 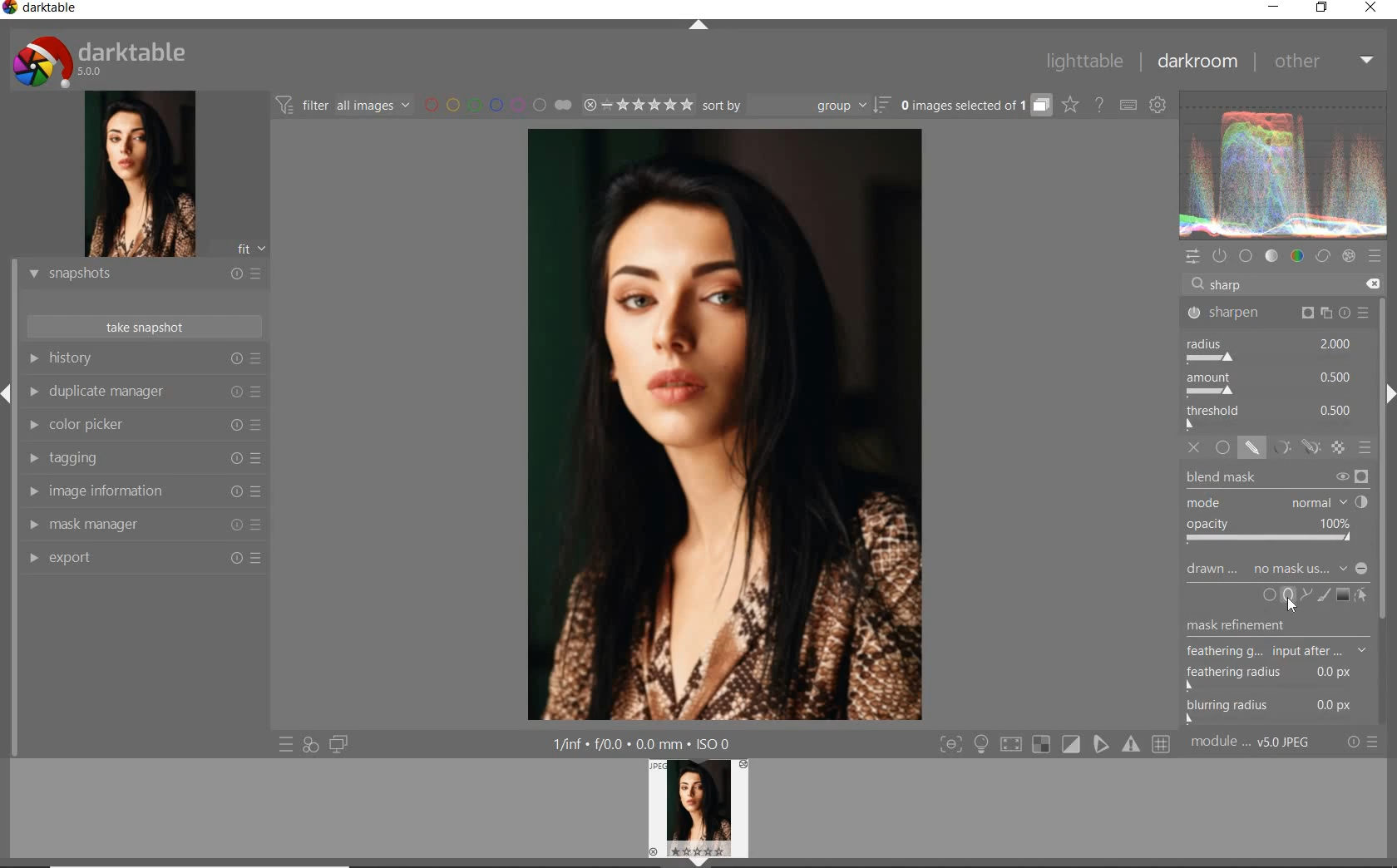 I want to click on color, so click(x=1298, y=257).